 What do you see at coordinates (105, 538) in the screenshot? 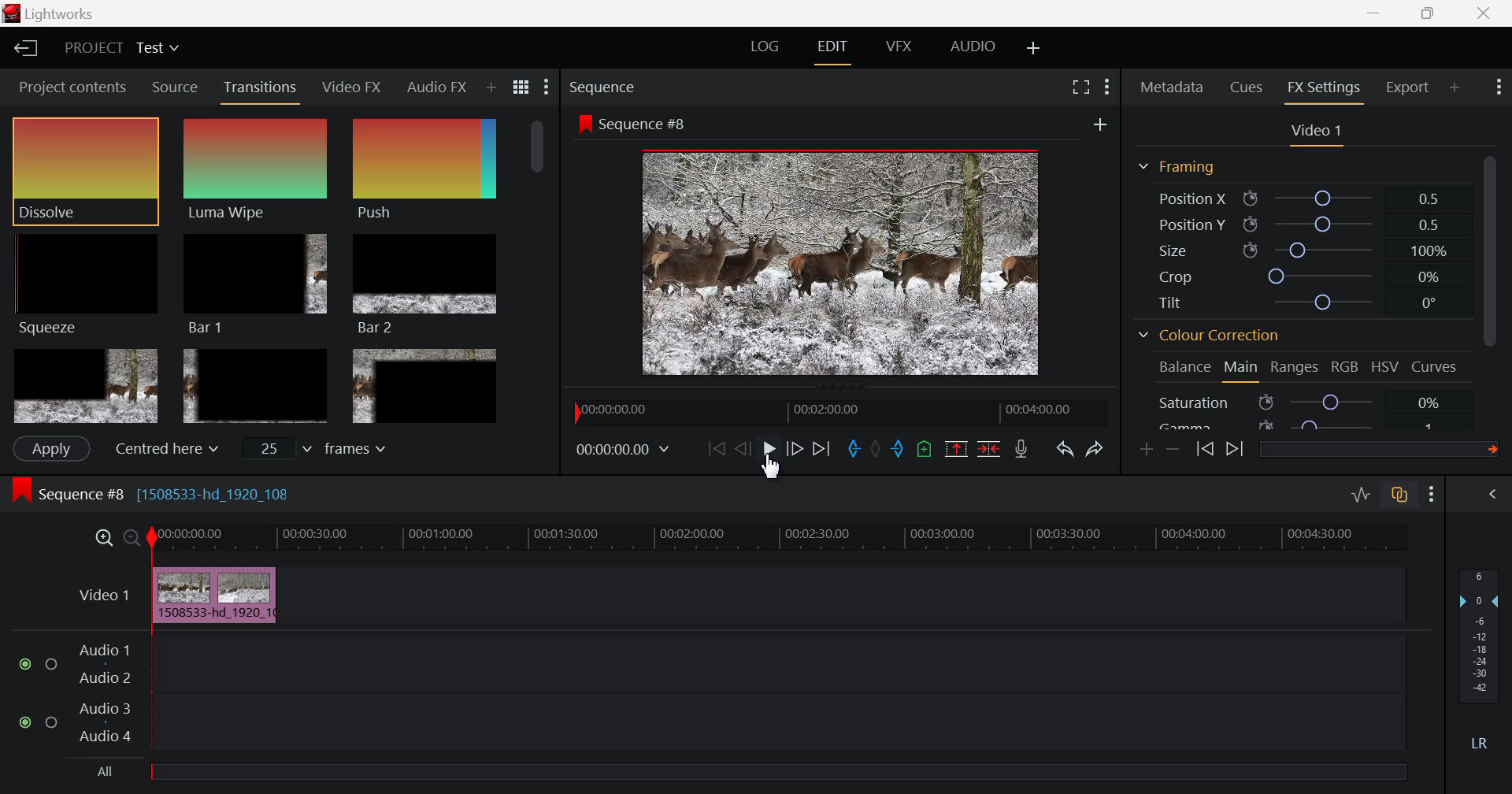
I see `Timeline Zoom In` at bounding box center [105, 538].